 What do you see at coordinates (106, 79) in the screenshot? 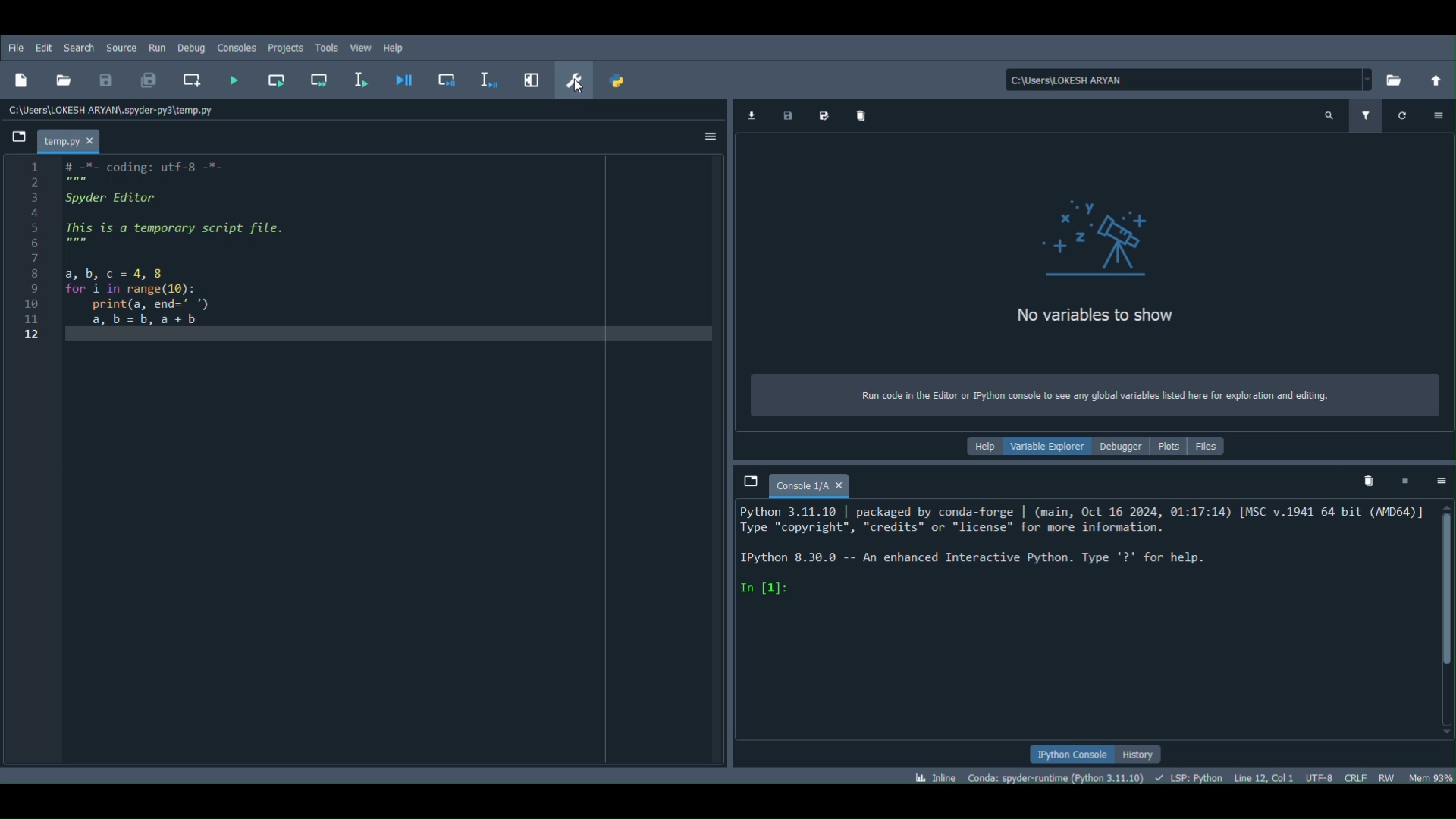
I see `Save file (Ctrl + S)` at bounding box center [106, 79].